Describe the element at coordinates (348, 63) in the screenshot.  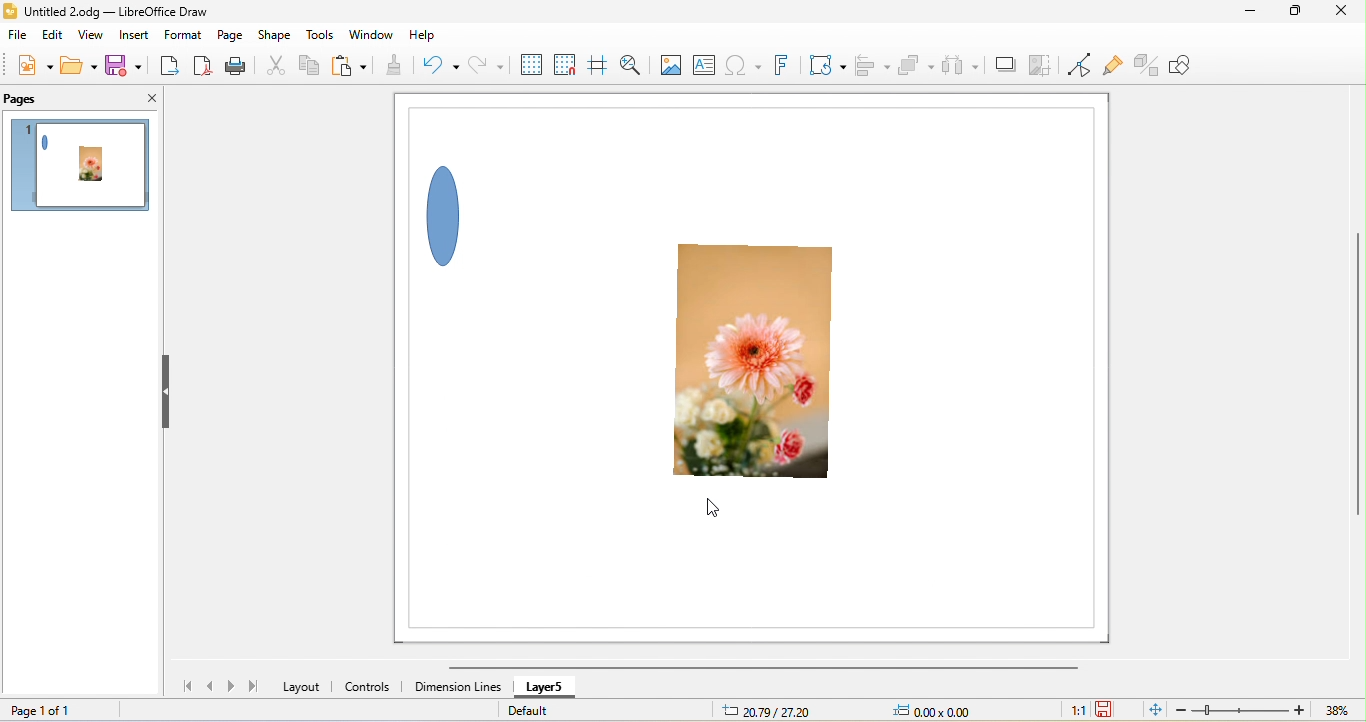
I see `paste` at that location.